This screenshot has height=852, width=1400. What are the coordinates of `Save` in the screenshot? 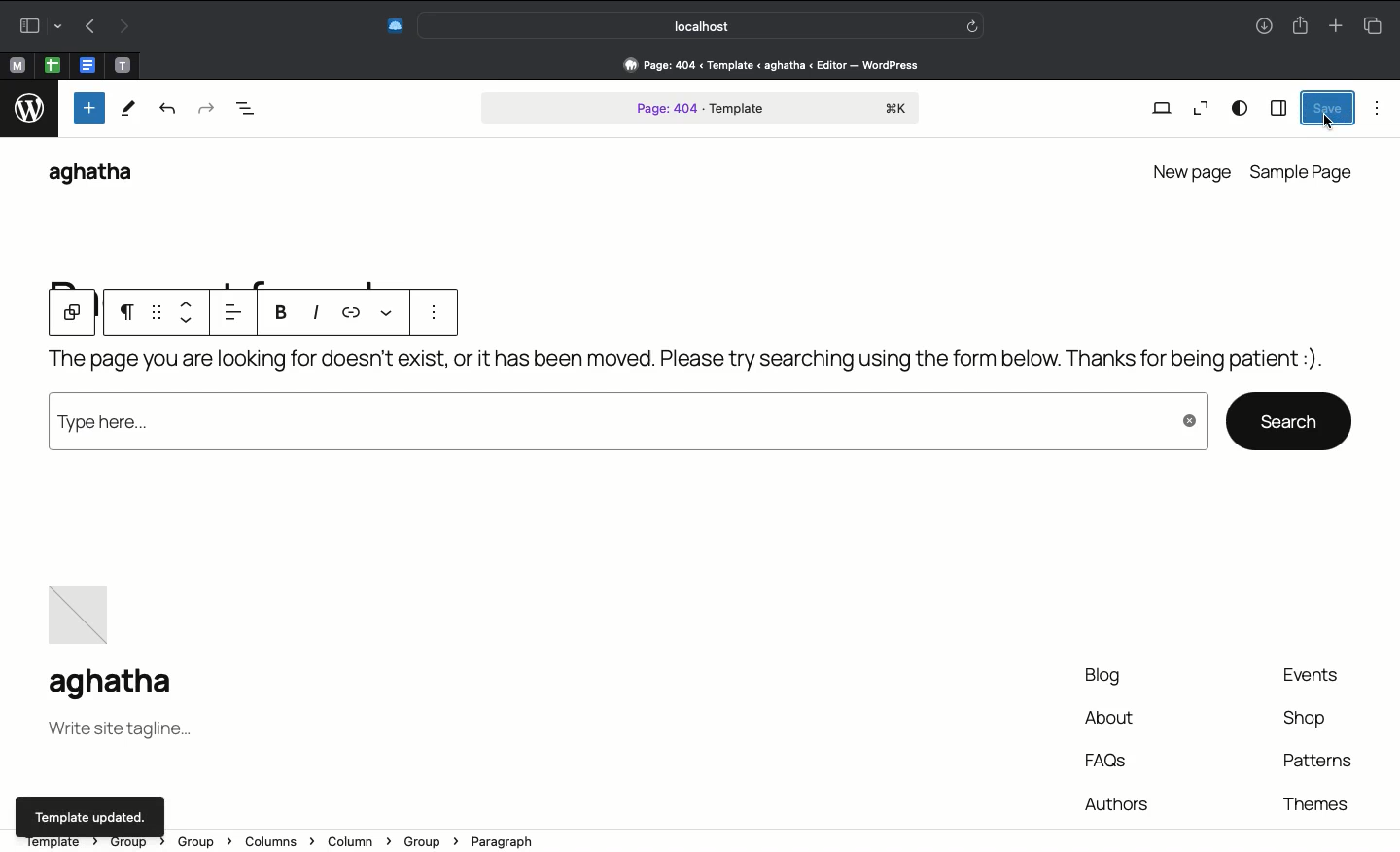 It's located at (1326, 107).